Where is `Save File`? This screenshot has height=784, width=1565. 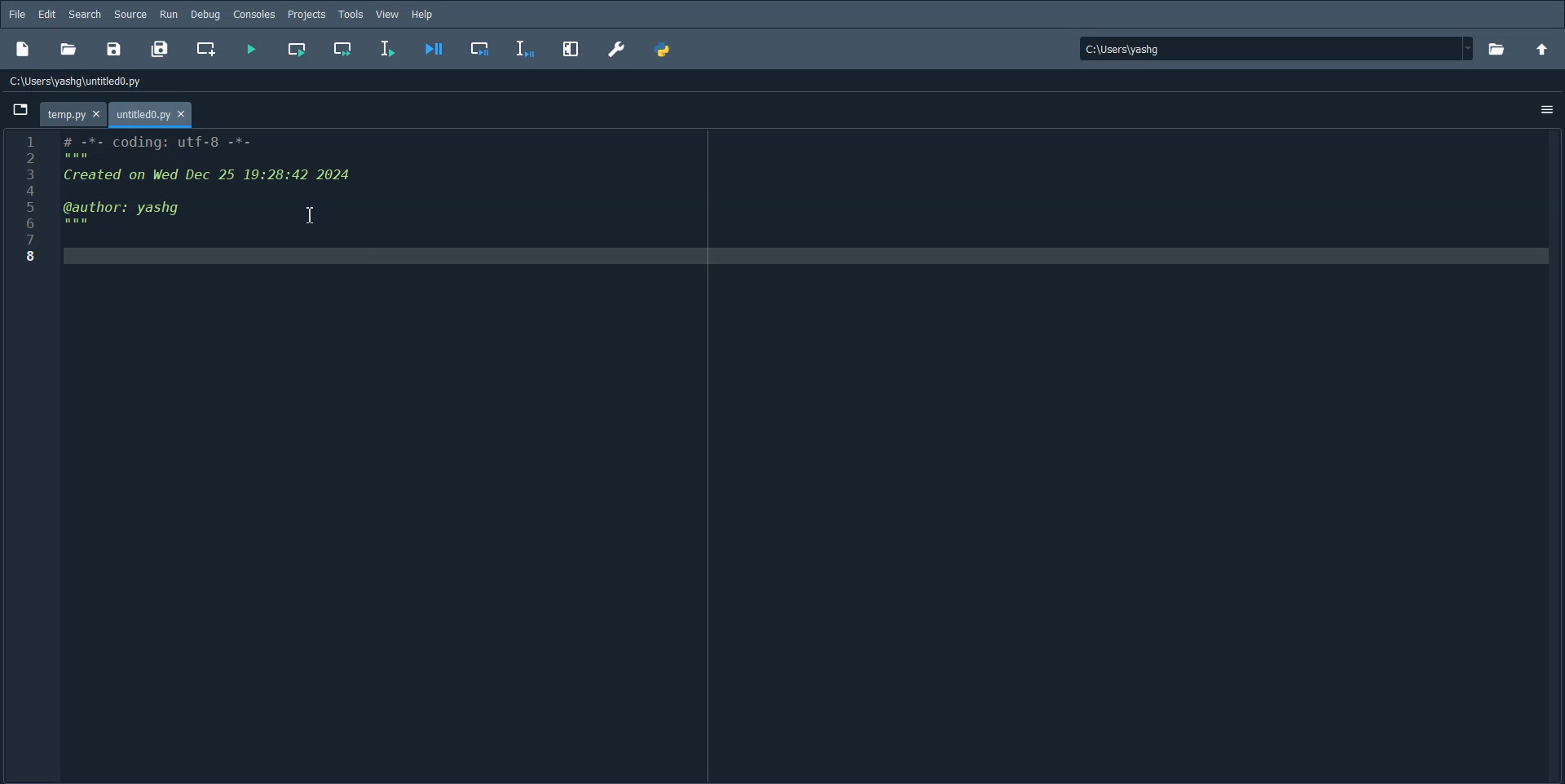
Save File is located at coordinates (117, 49).